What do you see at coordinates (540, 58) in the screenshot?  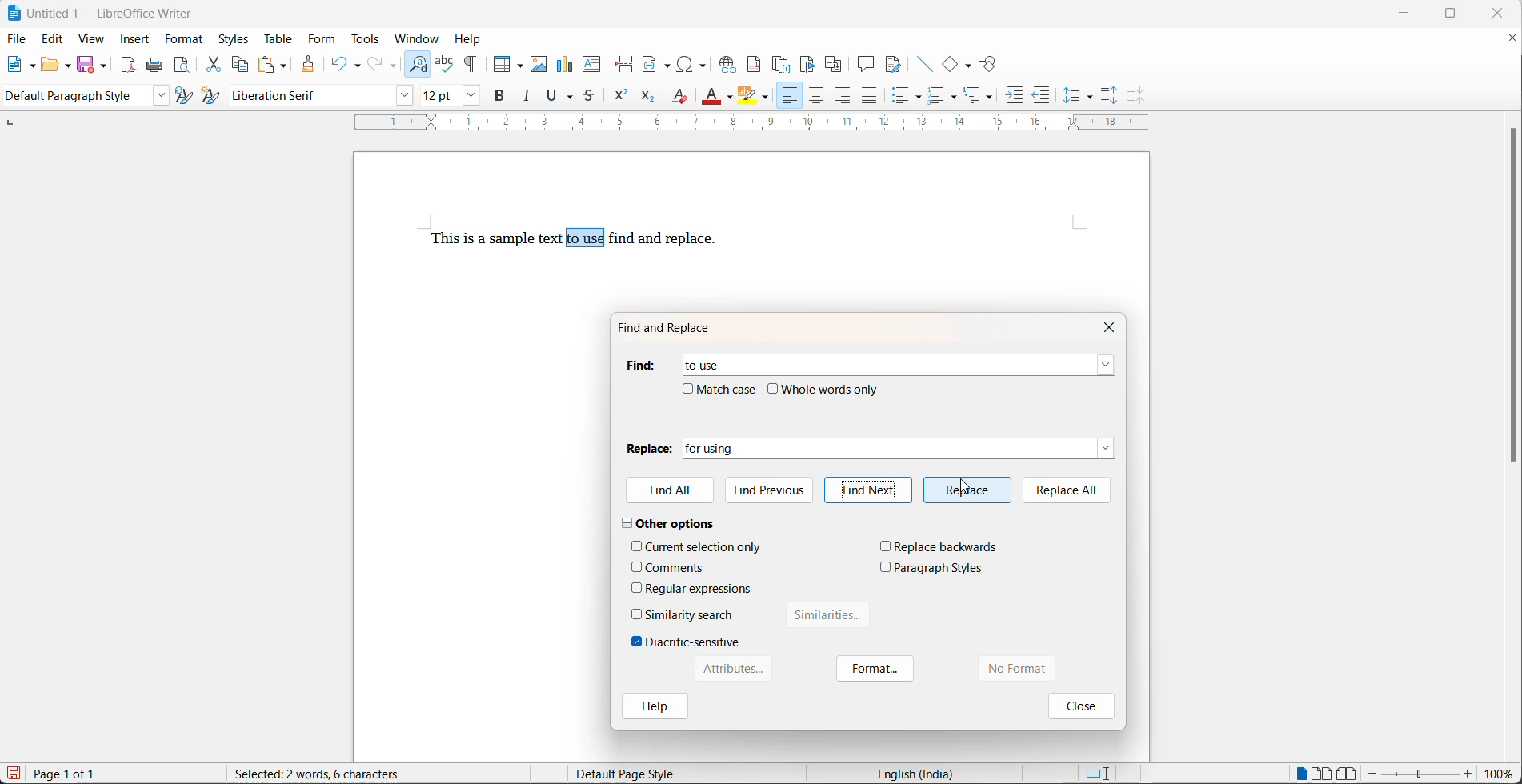 I see `insert images` at bounding box center [540, 58].